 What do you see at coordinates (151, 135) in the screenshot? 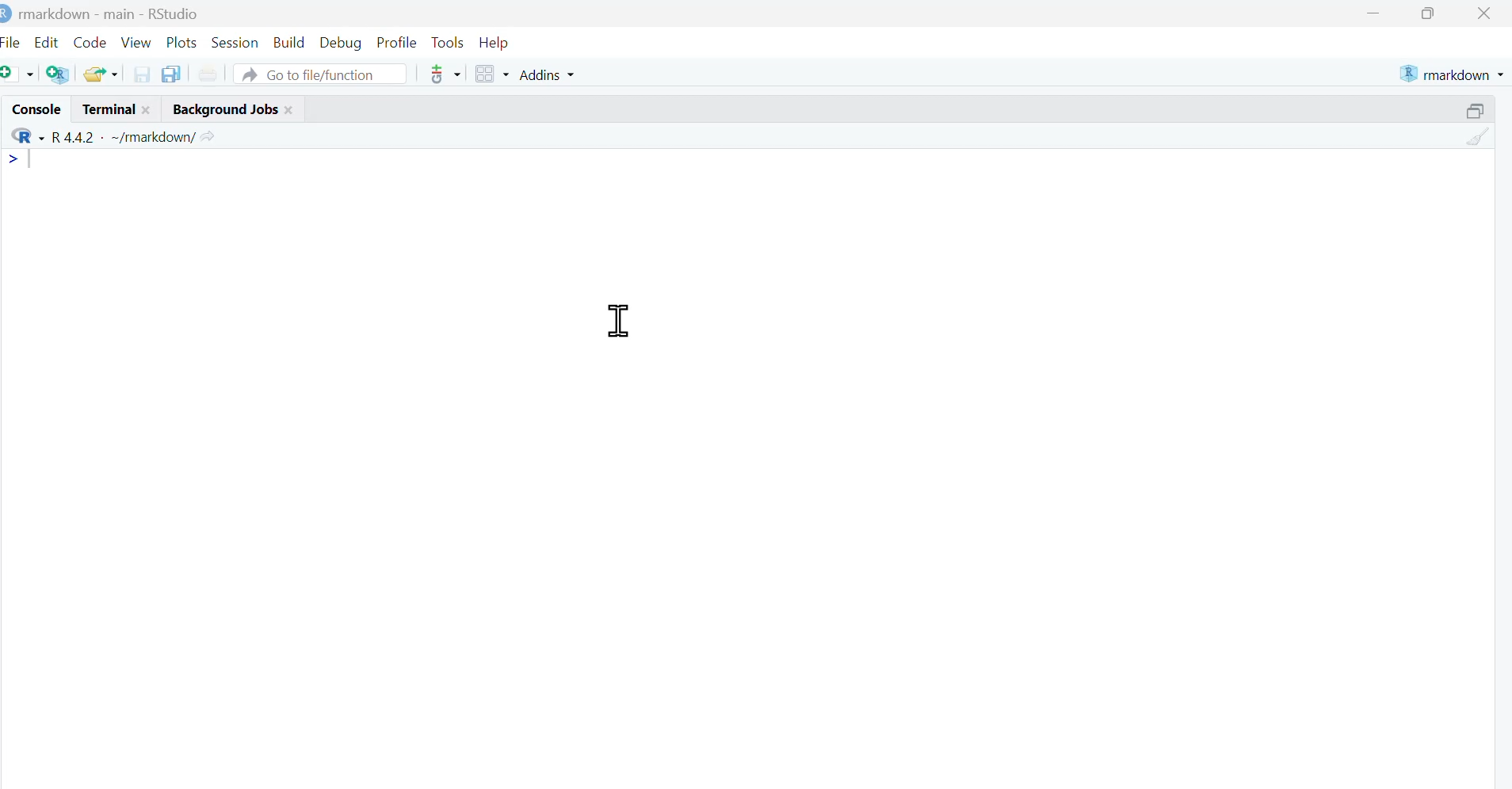
I see `~/markdown` at bounding box center [151, 135].